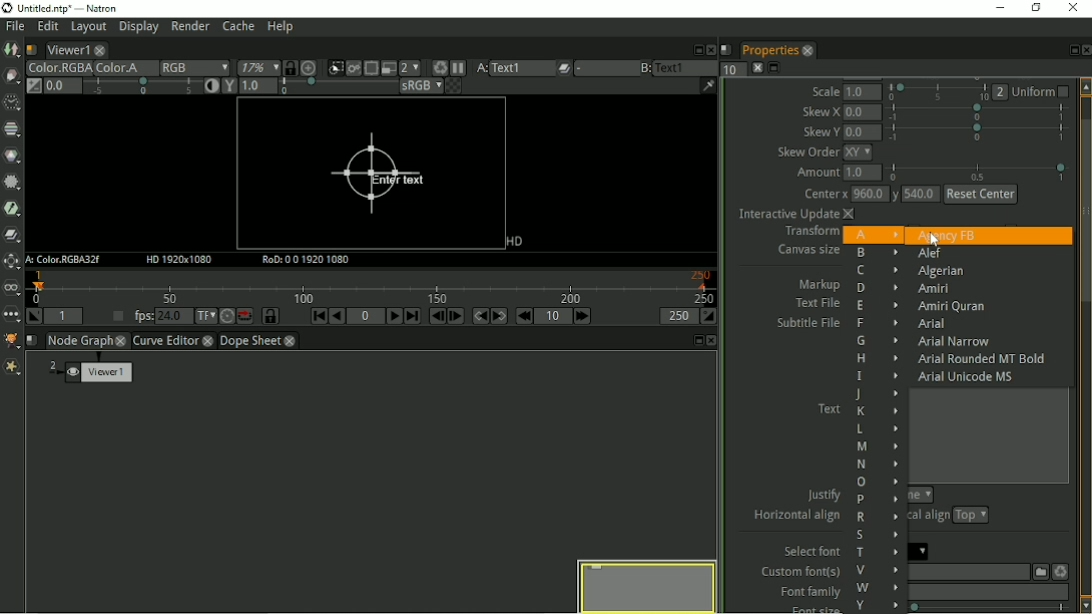 The height and width of the screenshot is (614, 1092). I want to click on Properties, so click(768, 50).